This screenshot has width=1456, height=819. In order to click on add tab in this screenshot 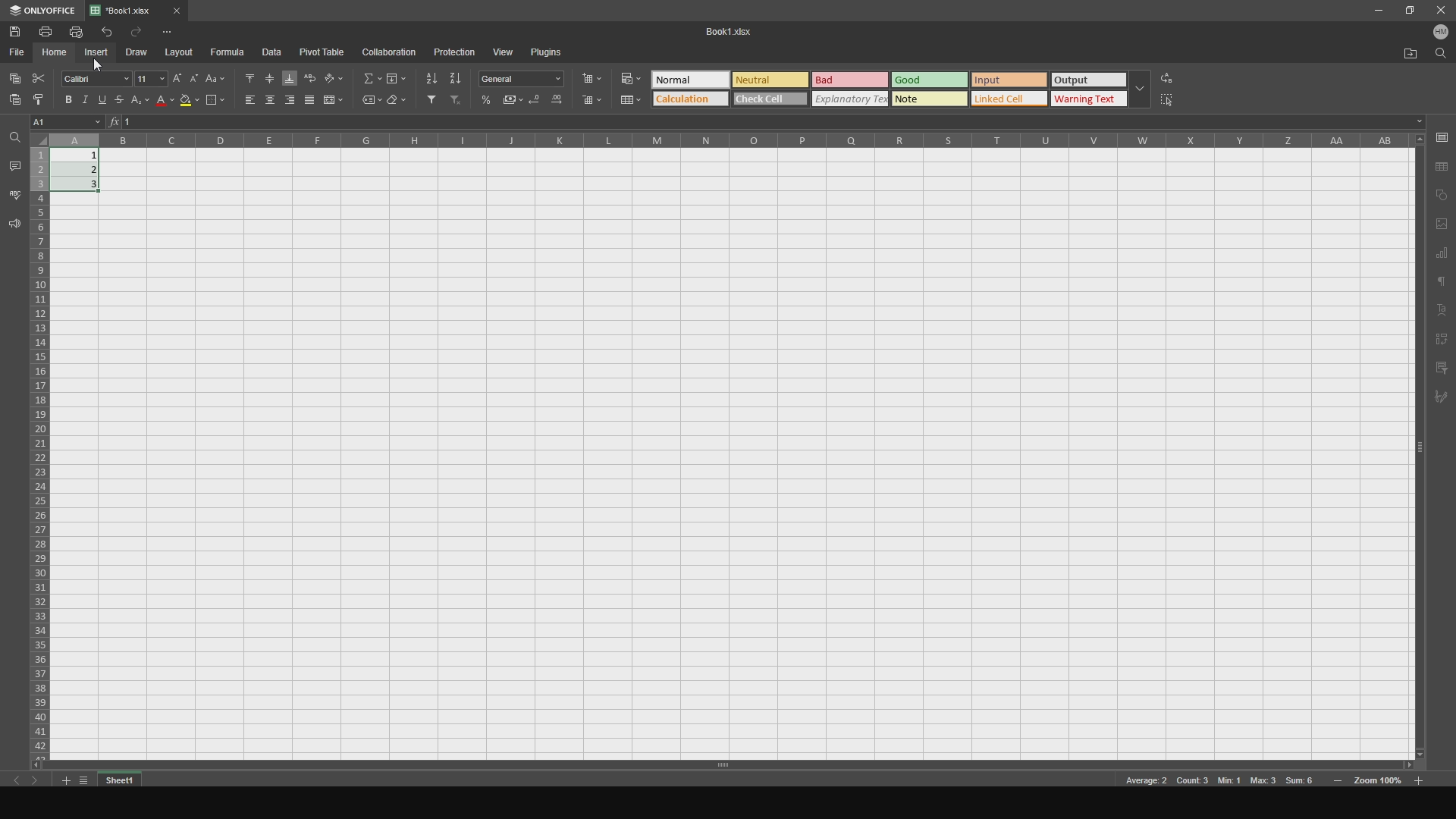, I will do `click(63, 782)`.